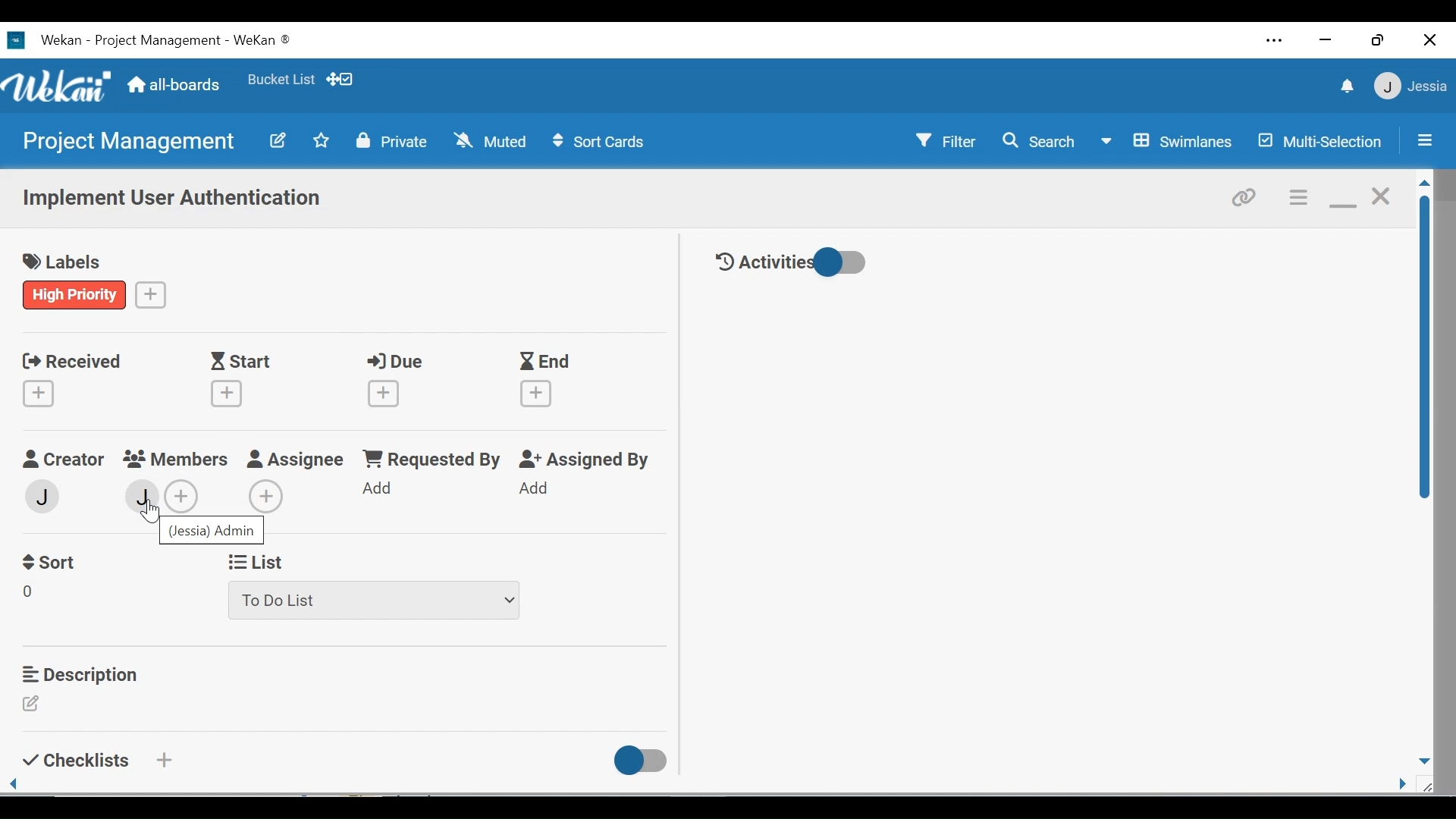 The image size is (1456, 819). What do you see at coordinates (319, 142) in the screenshot?
I see `toggle favorites` at bounding box center [319, 142].